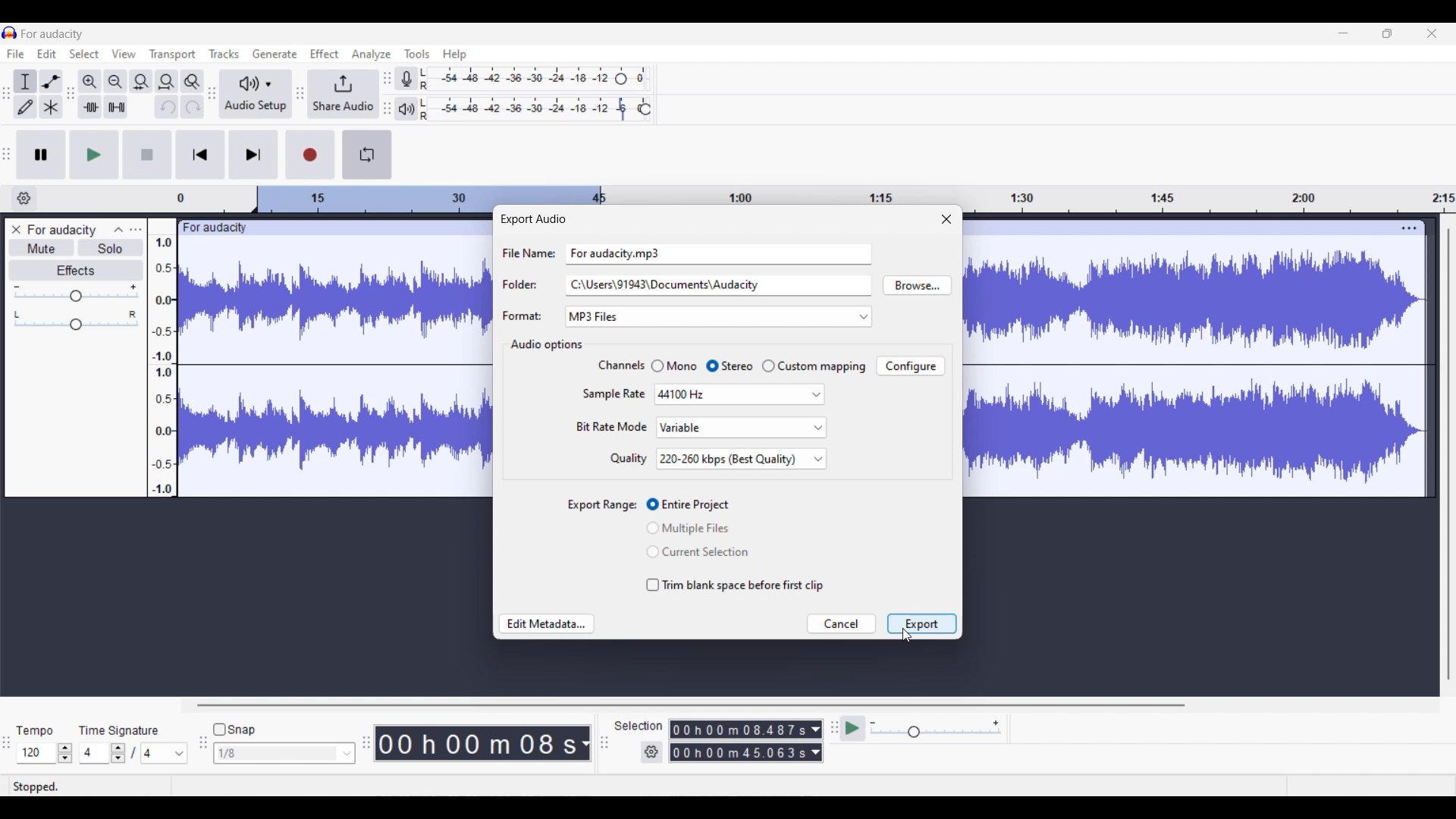  I want to click on Mute, so click(42, 247).